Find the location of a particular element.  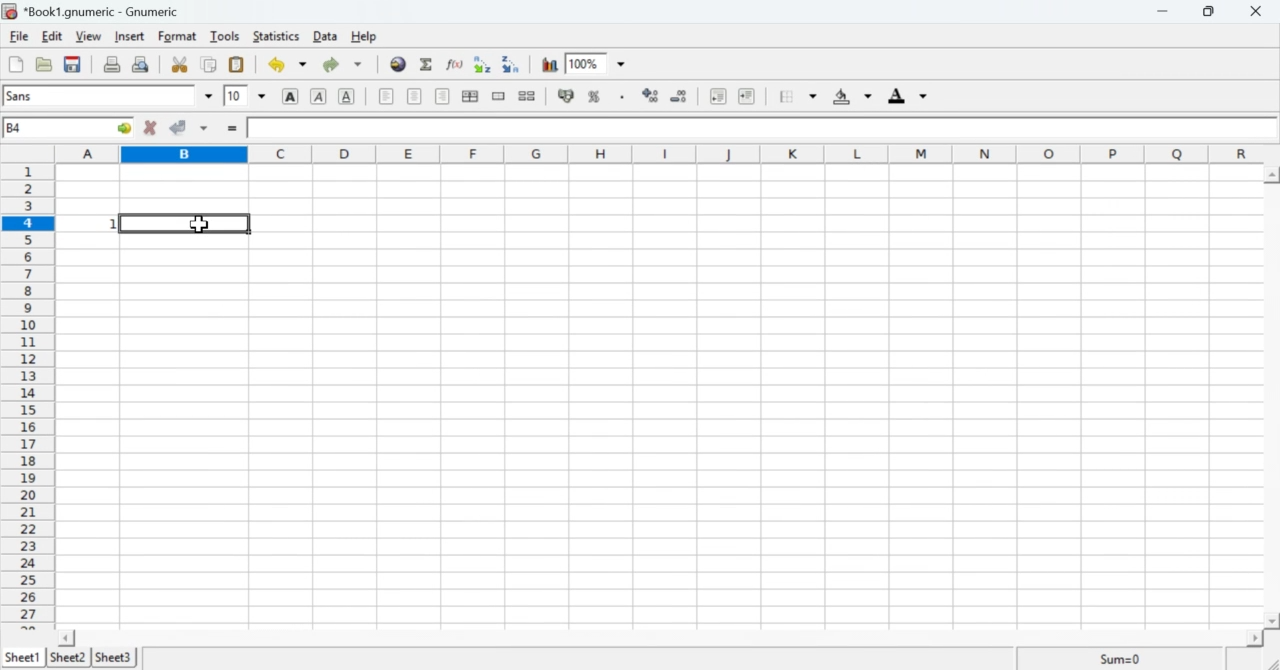

Background is located at coordinates (853, 97).